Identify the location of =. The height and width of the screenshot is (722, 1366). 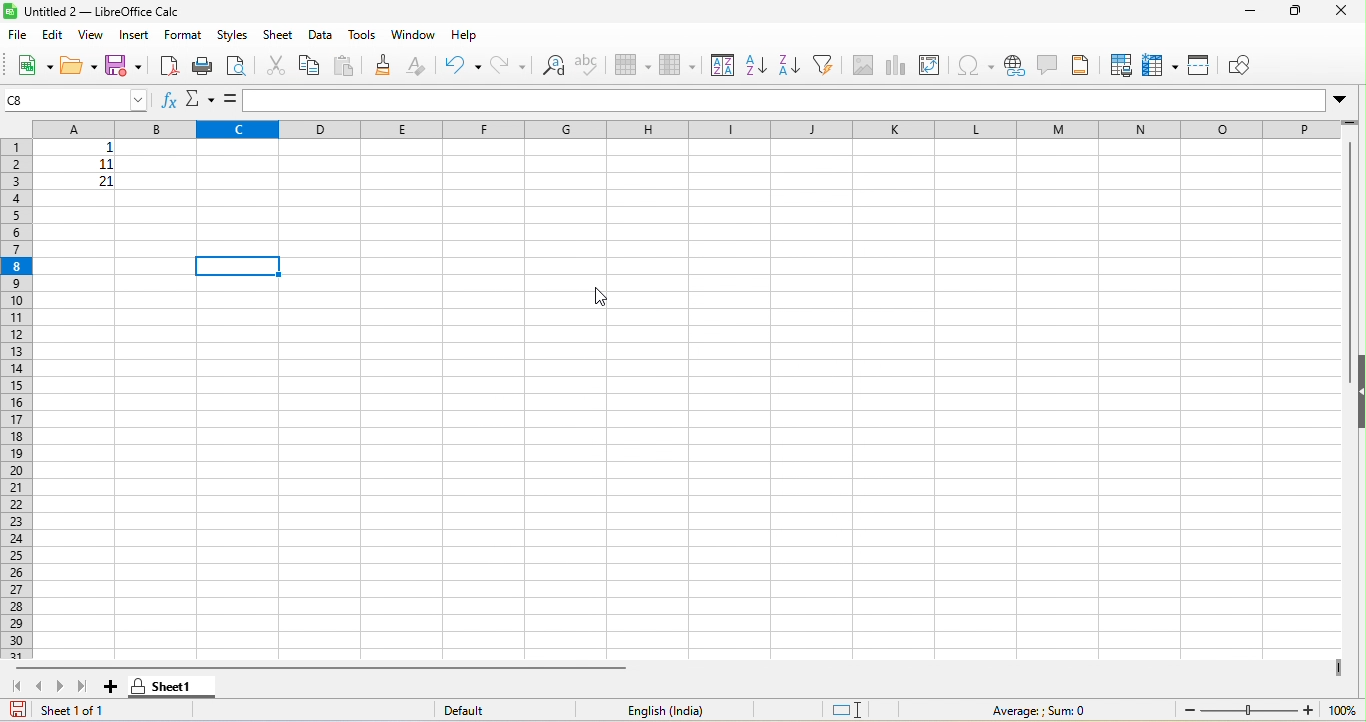
(230, 99).